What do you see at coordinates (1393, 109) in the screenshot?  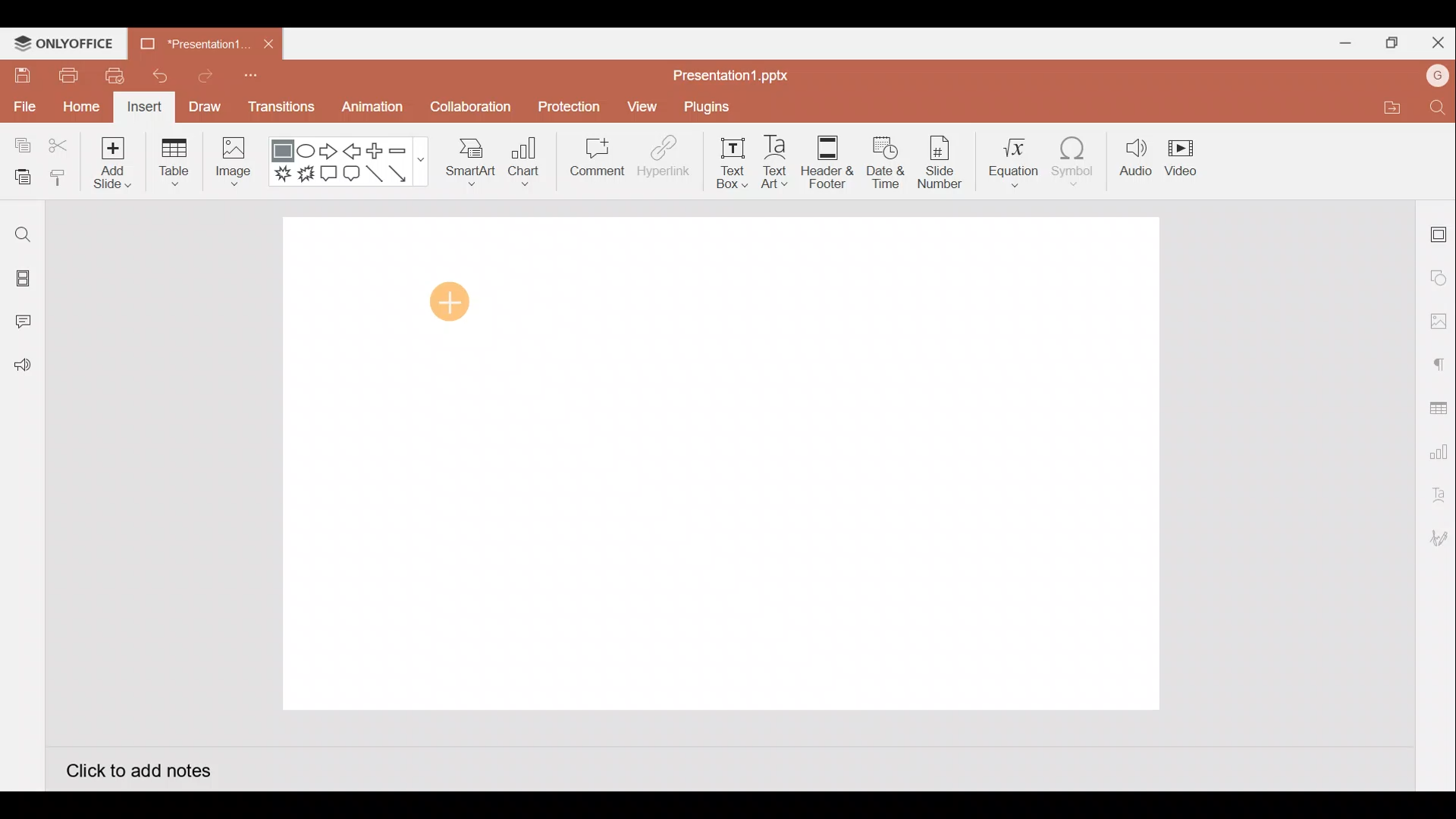 I see `Open file location` at bounding box center [1393, 109].